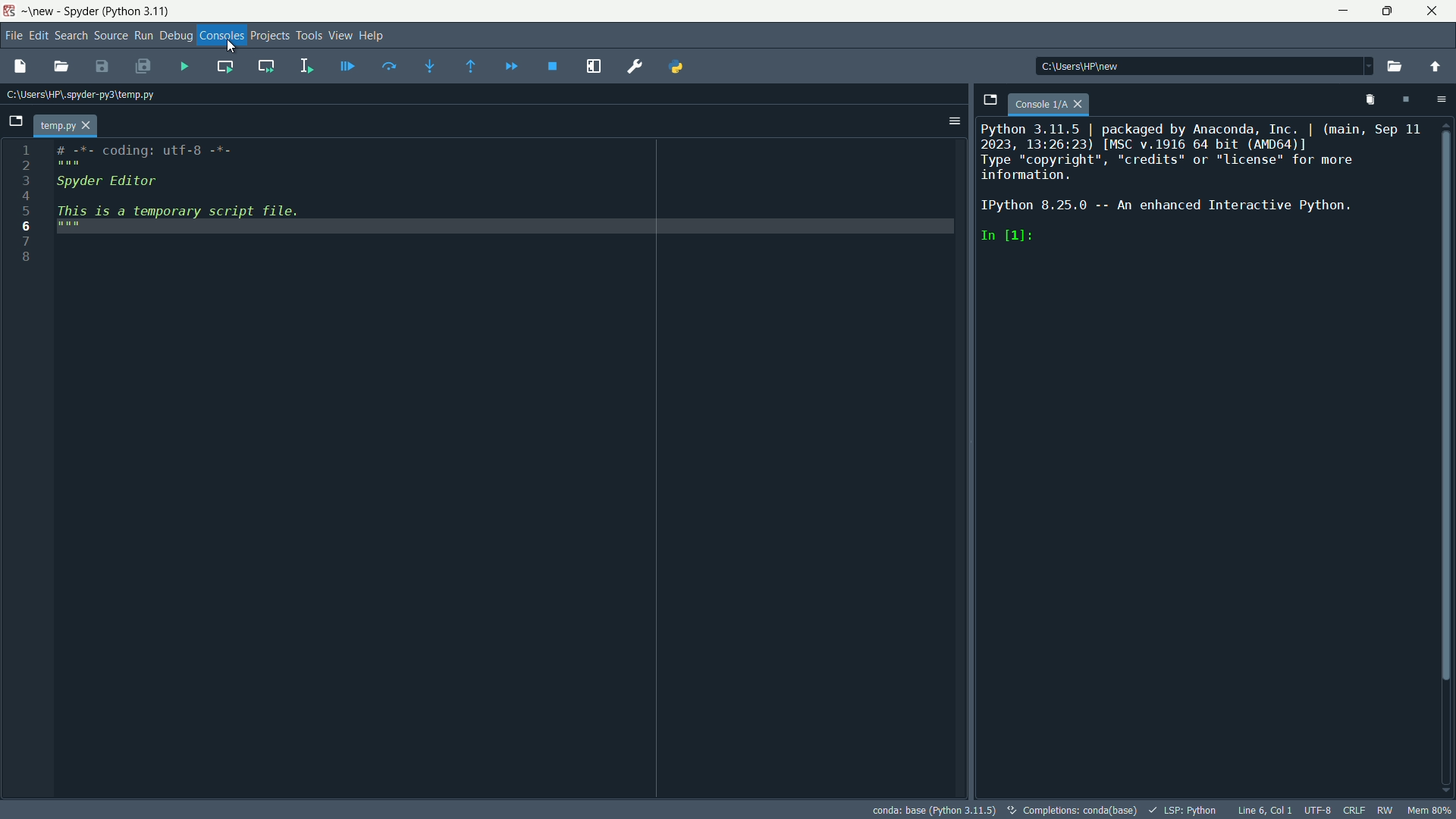 The image size is (1456, 819). What do you see at coordinates (673, 64) in the screenshot?
I see `PYTHONPATH manager` at bounding box center [673, 64].